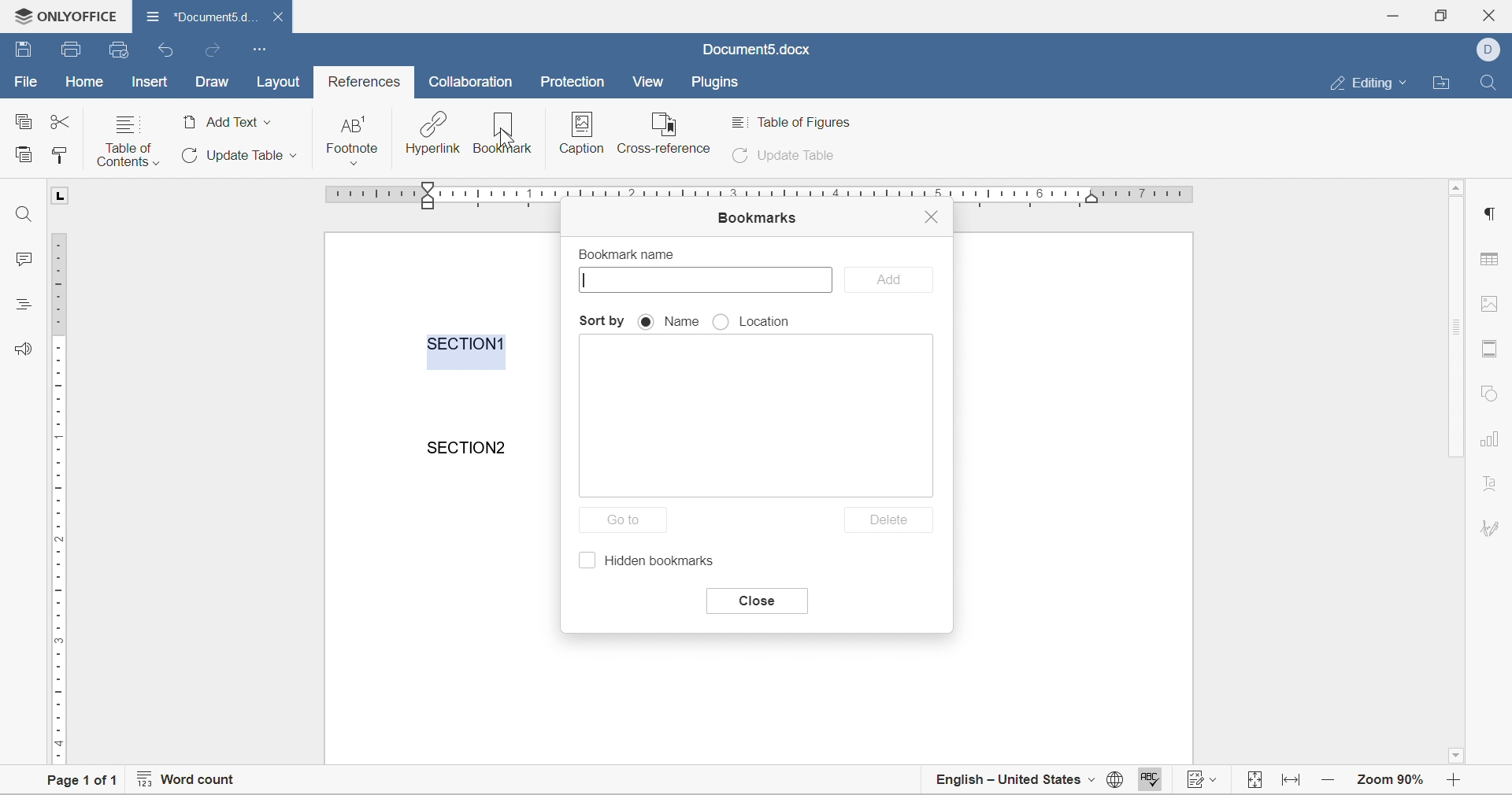 The height and width of the screenshot is (795, 1512). What do you see at coordinates (573, 81) in the screenshot?
I see `protection` at bounding box center [573, 81].